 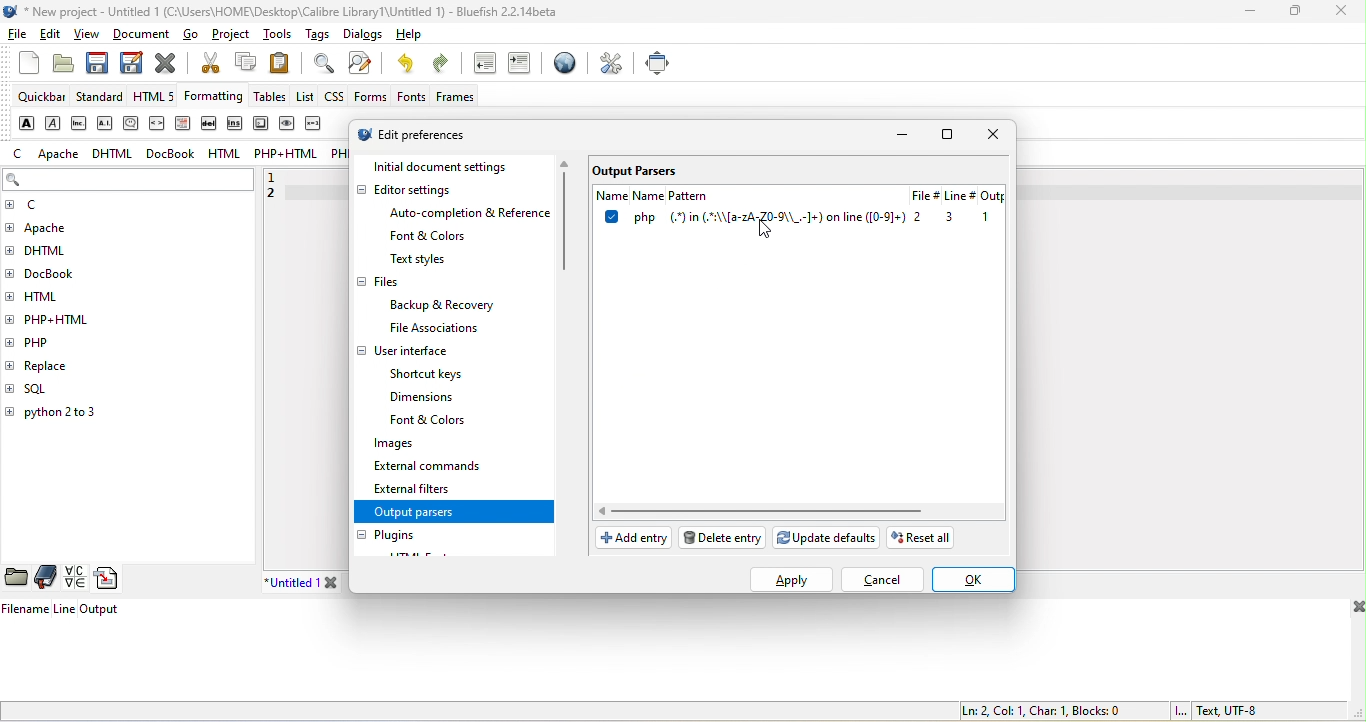 I want to click on file, so click(x=18, y=35).